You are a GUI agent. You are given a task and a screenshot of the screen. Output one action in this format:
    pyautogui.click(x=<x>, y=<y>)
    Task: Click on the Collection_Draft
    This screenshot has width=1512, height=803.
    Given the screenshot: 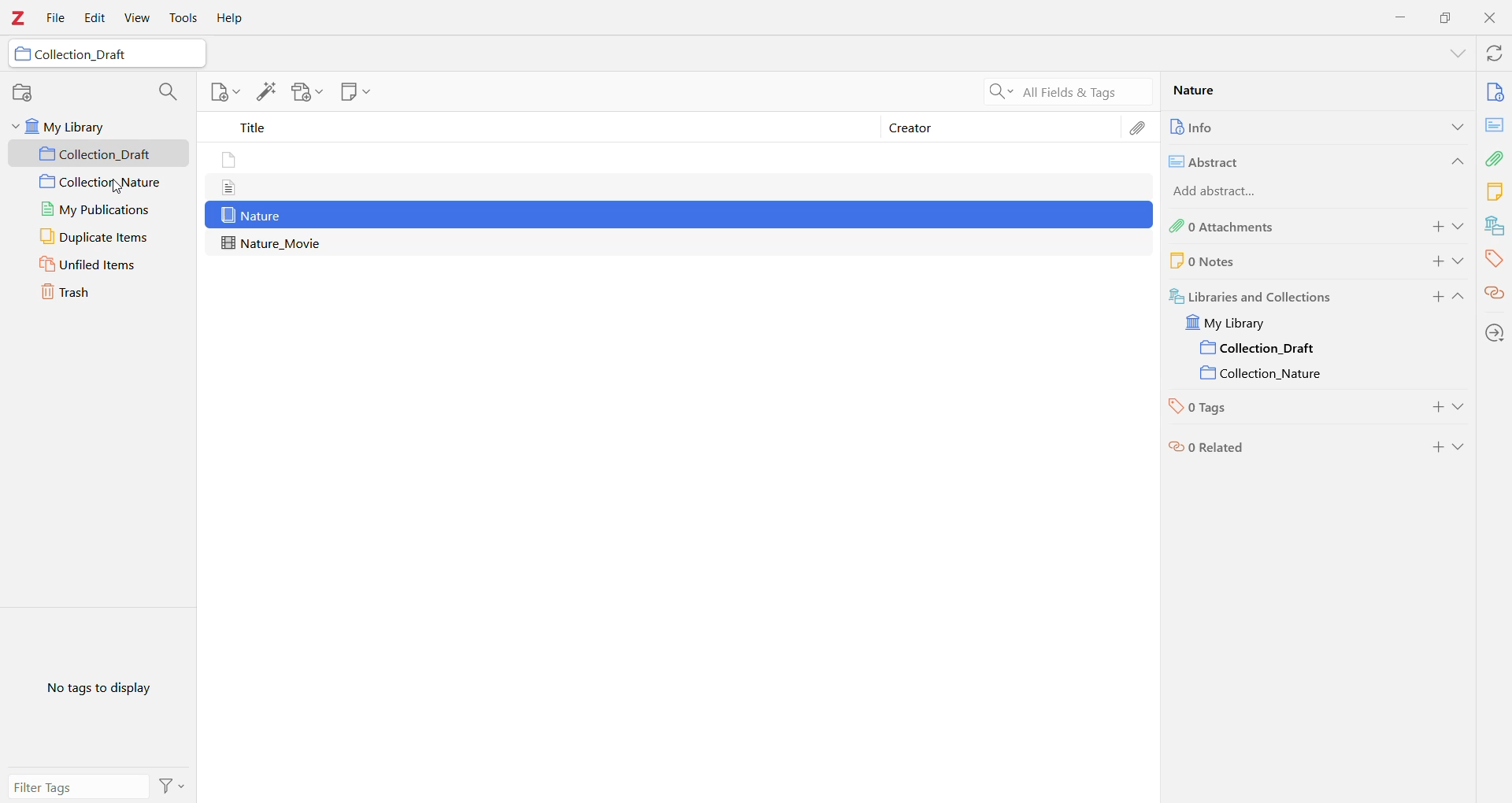 What is the action you would take?
    pyautogui.click(x=105, y=55)
    